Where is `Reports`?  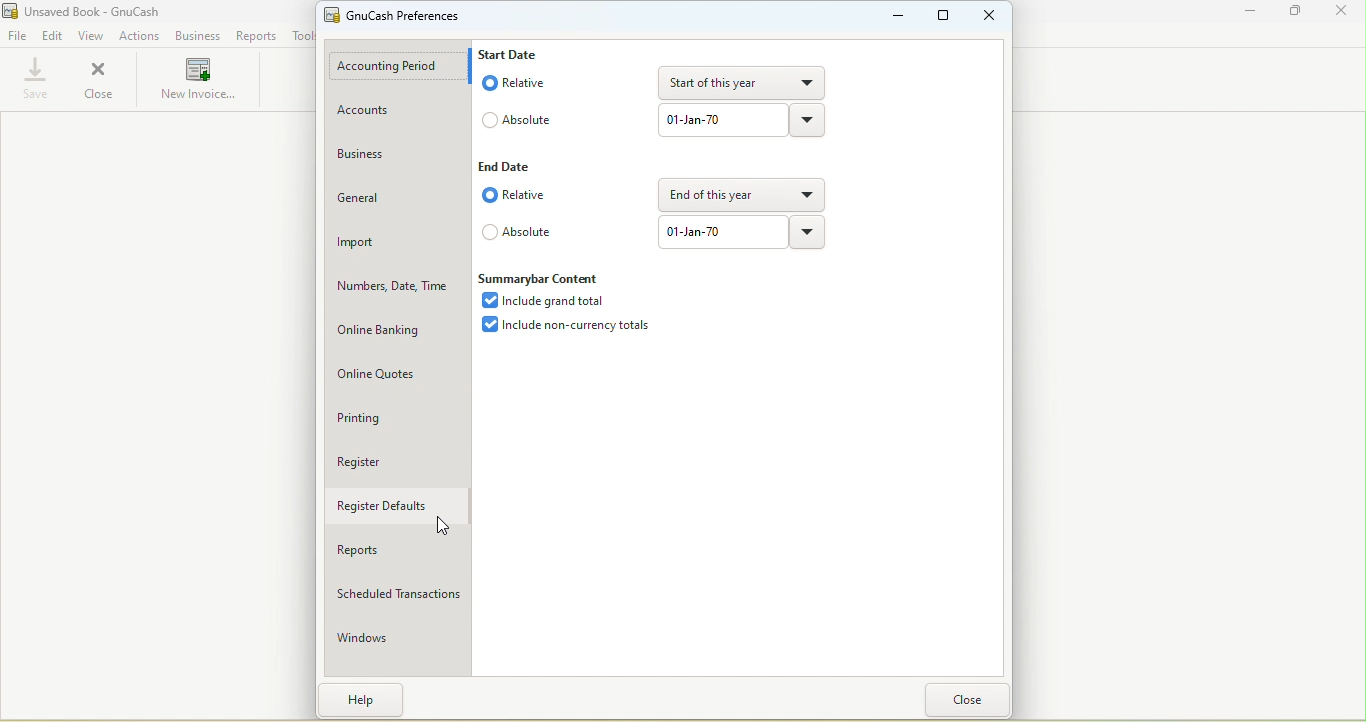
Reports is located at coordinates (395, 551).